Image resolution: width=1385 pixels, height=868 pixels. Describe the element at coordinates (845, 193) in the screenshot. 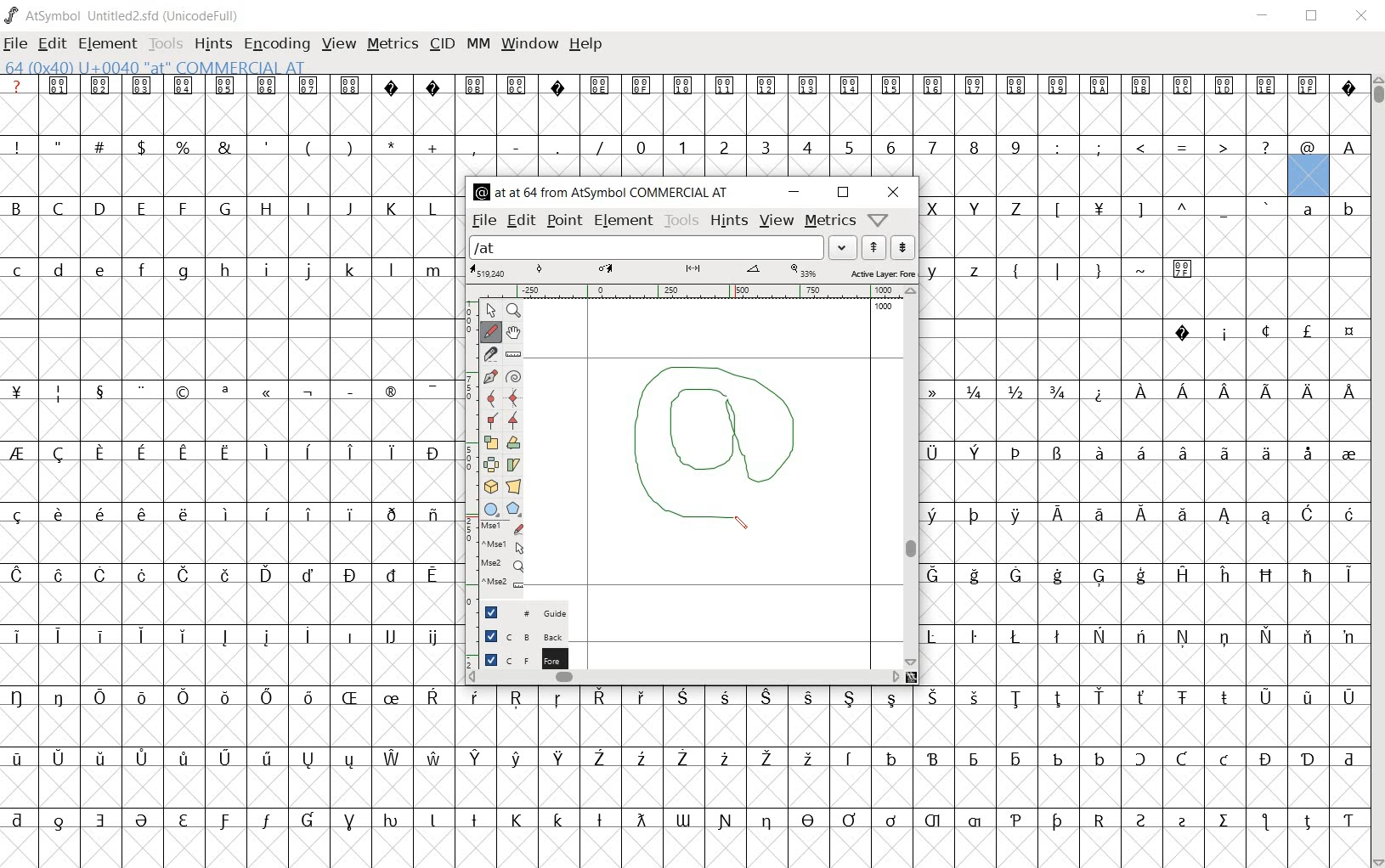

I see `restore down` at that location.